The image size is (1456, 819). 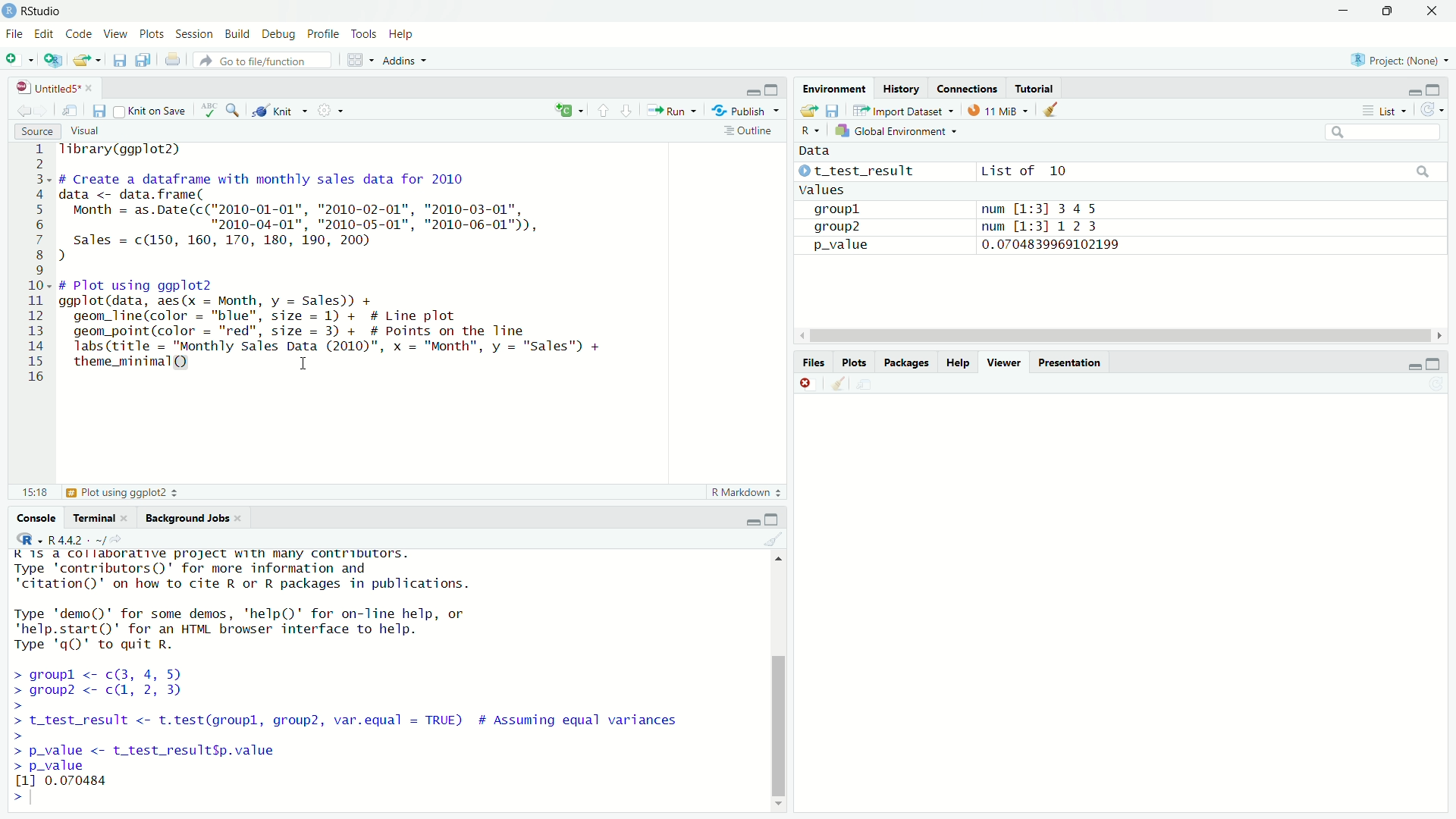 I want to click on View, so click(x=115, y=32).